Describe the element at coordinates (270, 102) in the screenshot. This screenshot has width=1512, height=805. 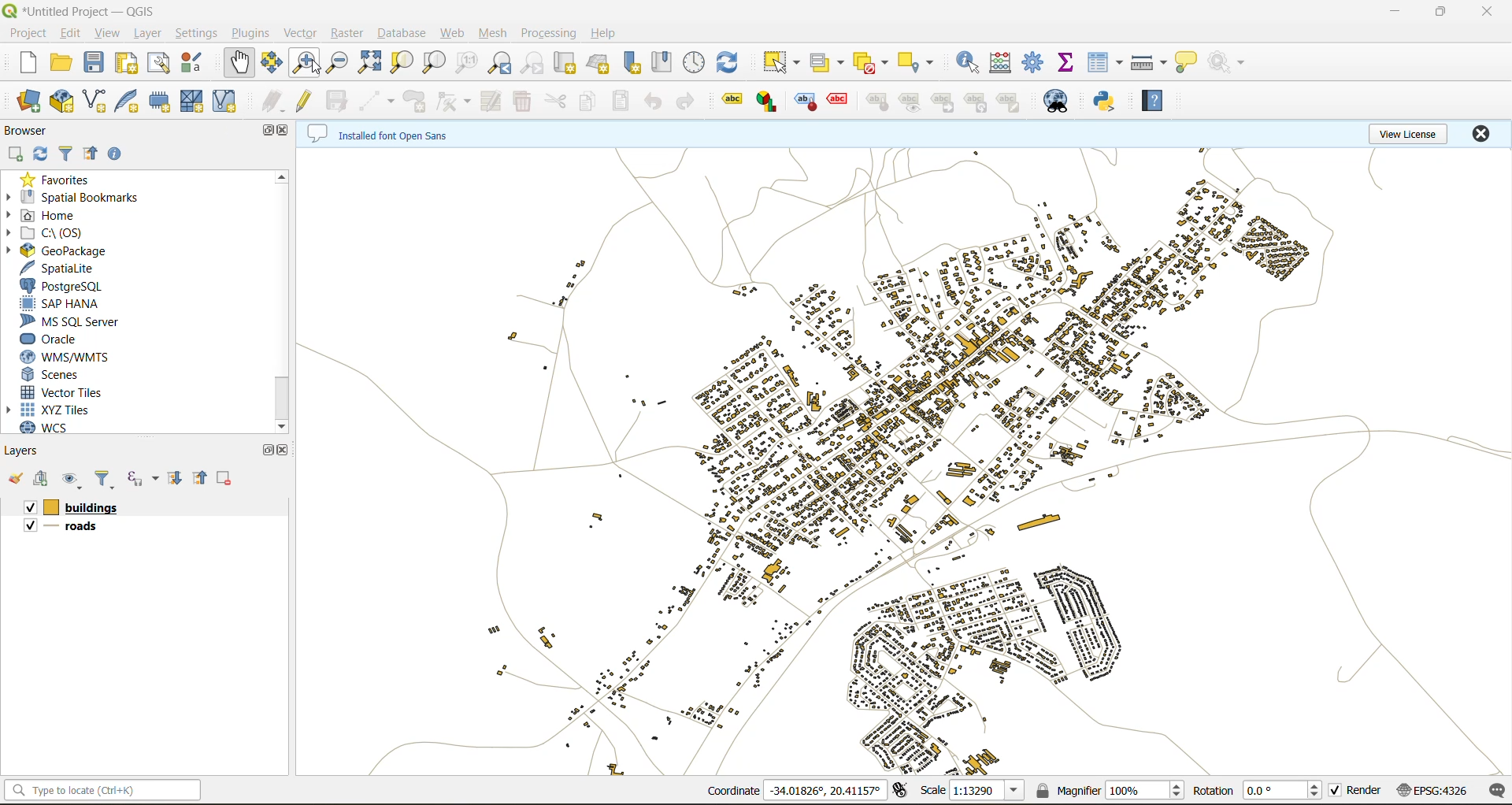
I see `edits` at that location.